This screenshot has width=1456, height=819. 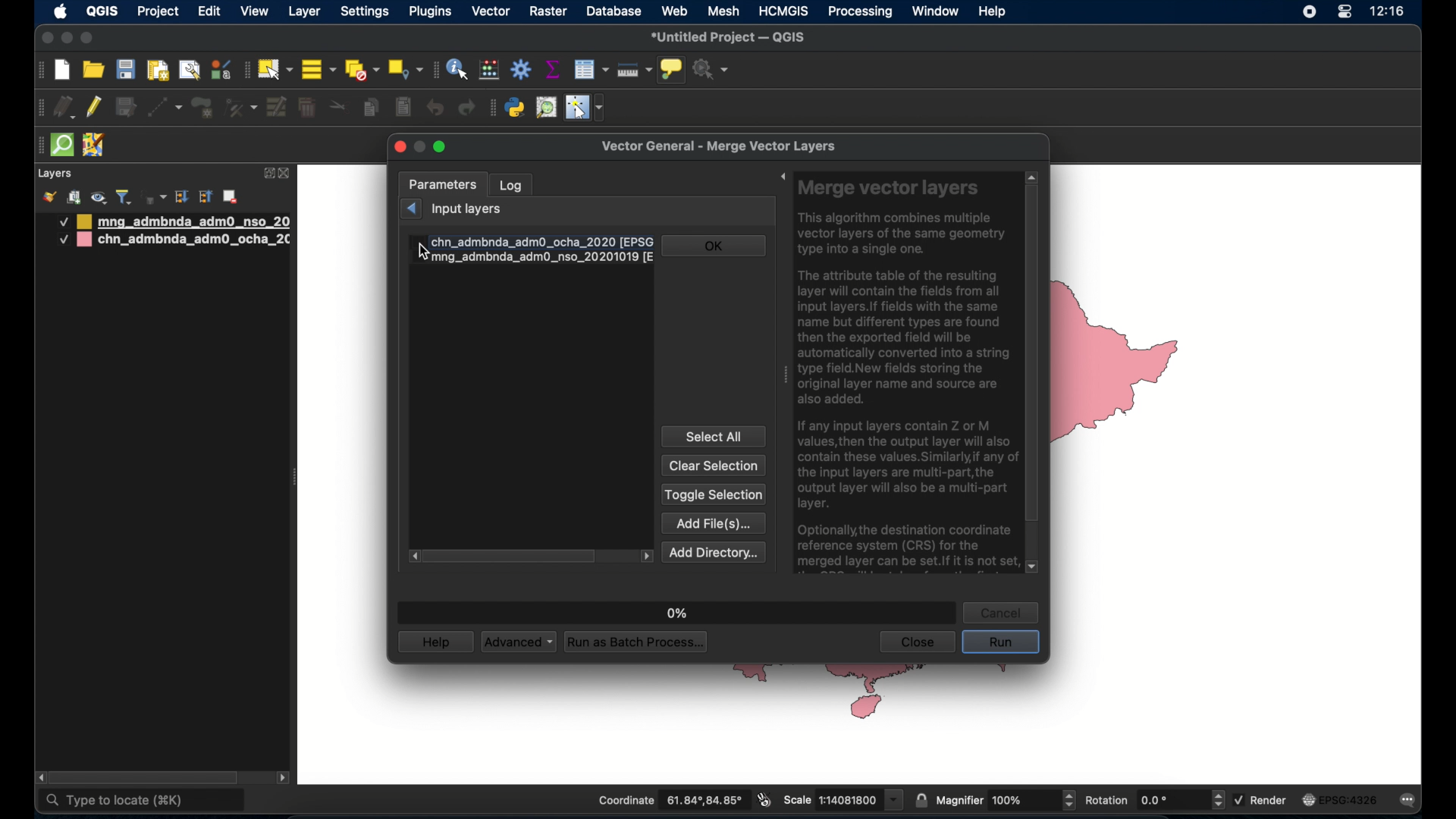 I want to click on current edits, so click(x=66, y=109).